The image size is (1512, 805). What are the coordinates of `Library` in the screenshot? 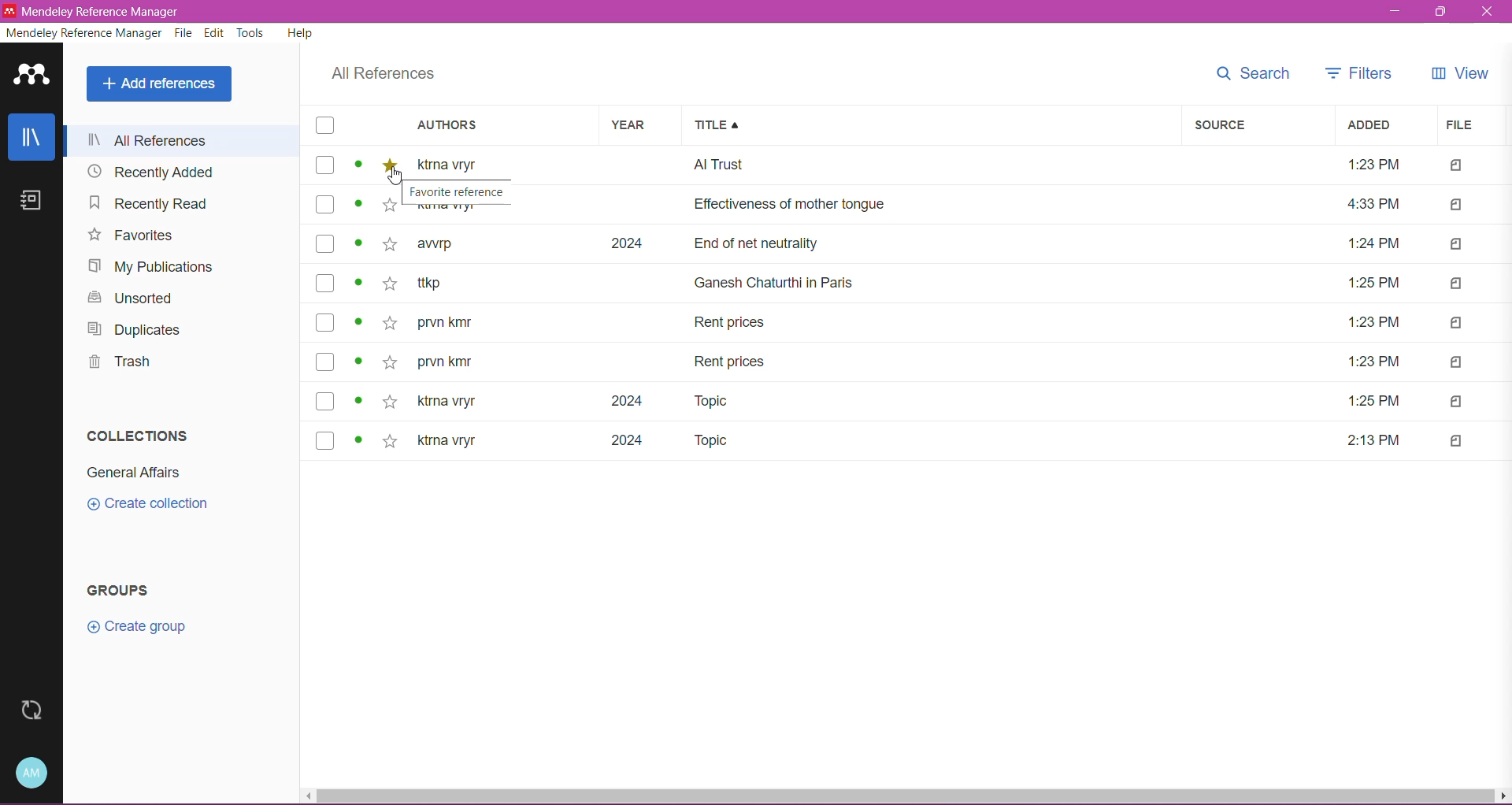 It's located at (31, 137).